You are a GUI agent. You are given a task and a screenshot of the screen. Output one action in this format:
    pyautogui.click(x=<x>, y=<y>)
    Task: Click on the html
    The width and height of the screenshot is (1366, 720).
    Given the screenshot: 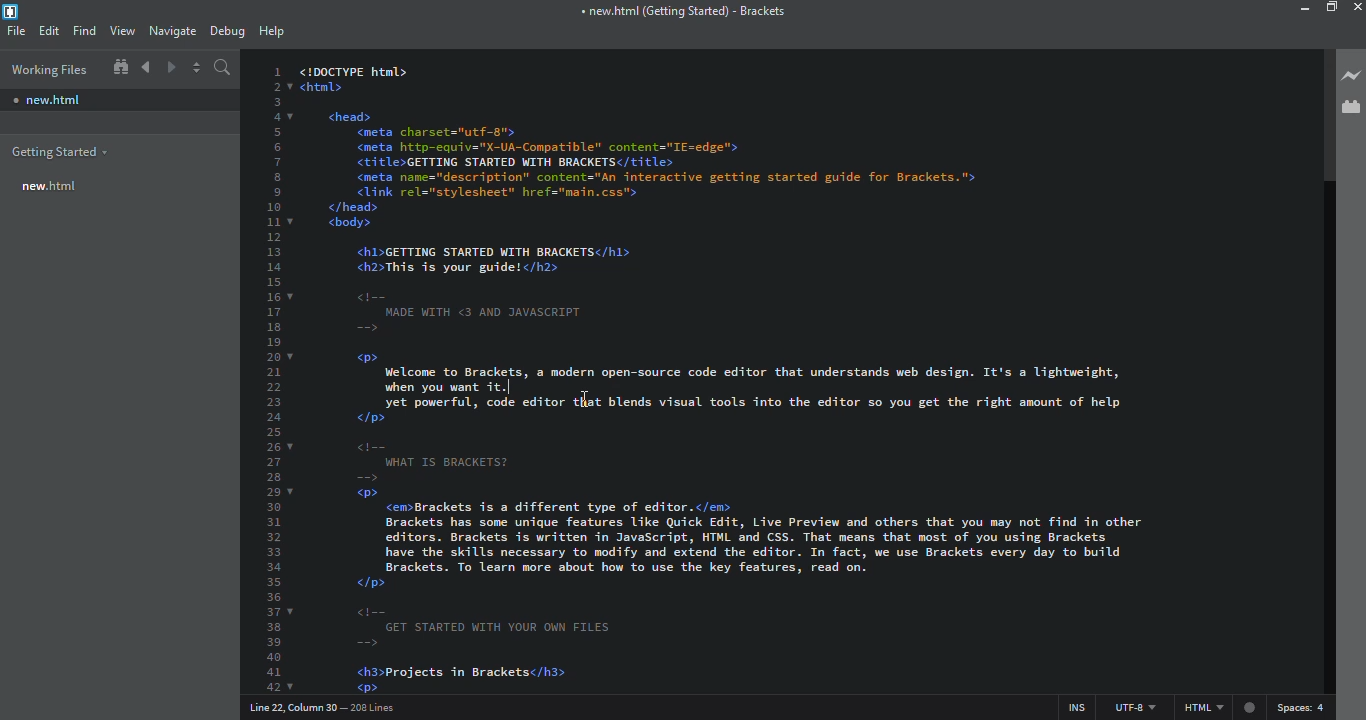 What is the action you would take?
    pyautogui.click(x=1214, y=708)
    